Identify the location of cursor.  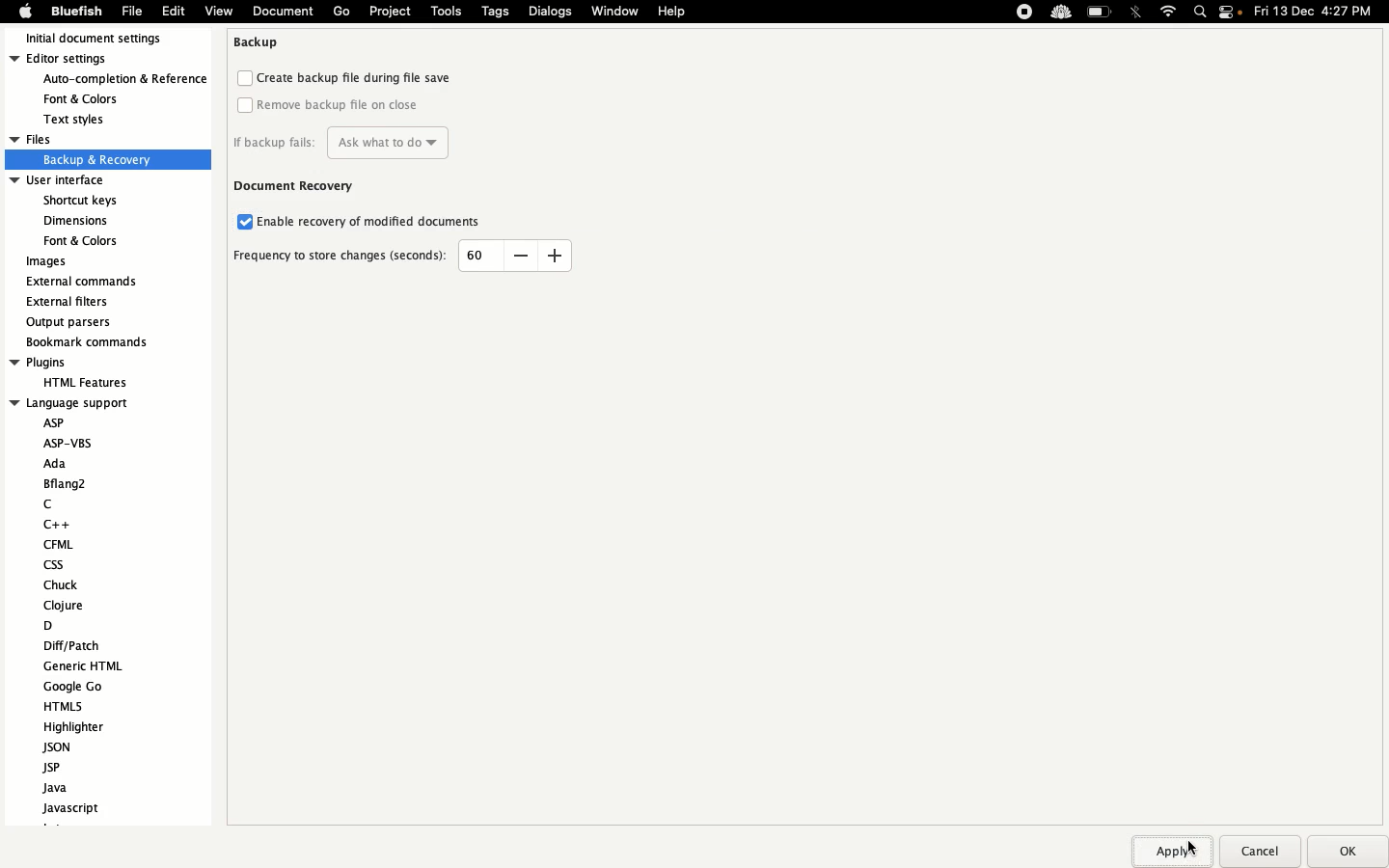
(1201, 829).